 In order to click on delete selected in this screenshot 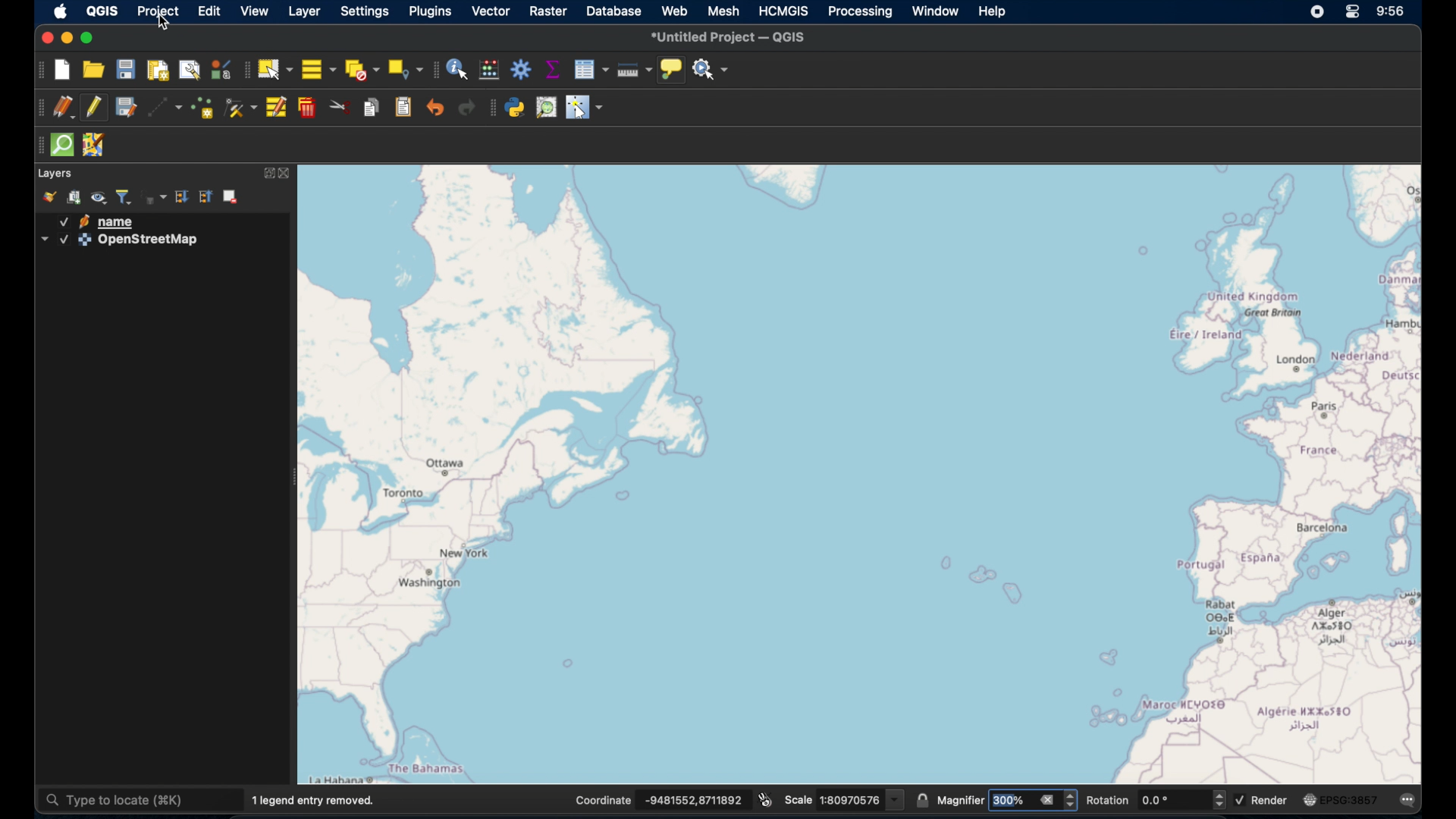, I will do `click(307, 108)`.